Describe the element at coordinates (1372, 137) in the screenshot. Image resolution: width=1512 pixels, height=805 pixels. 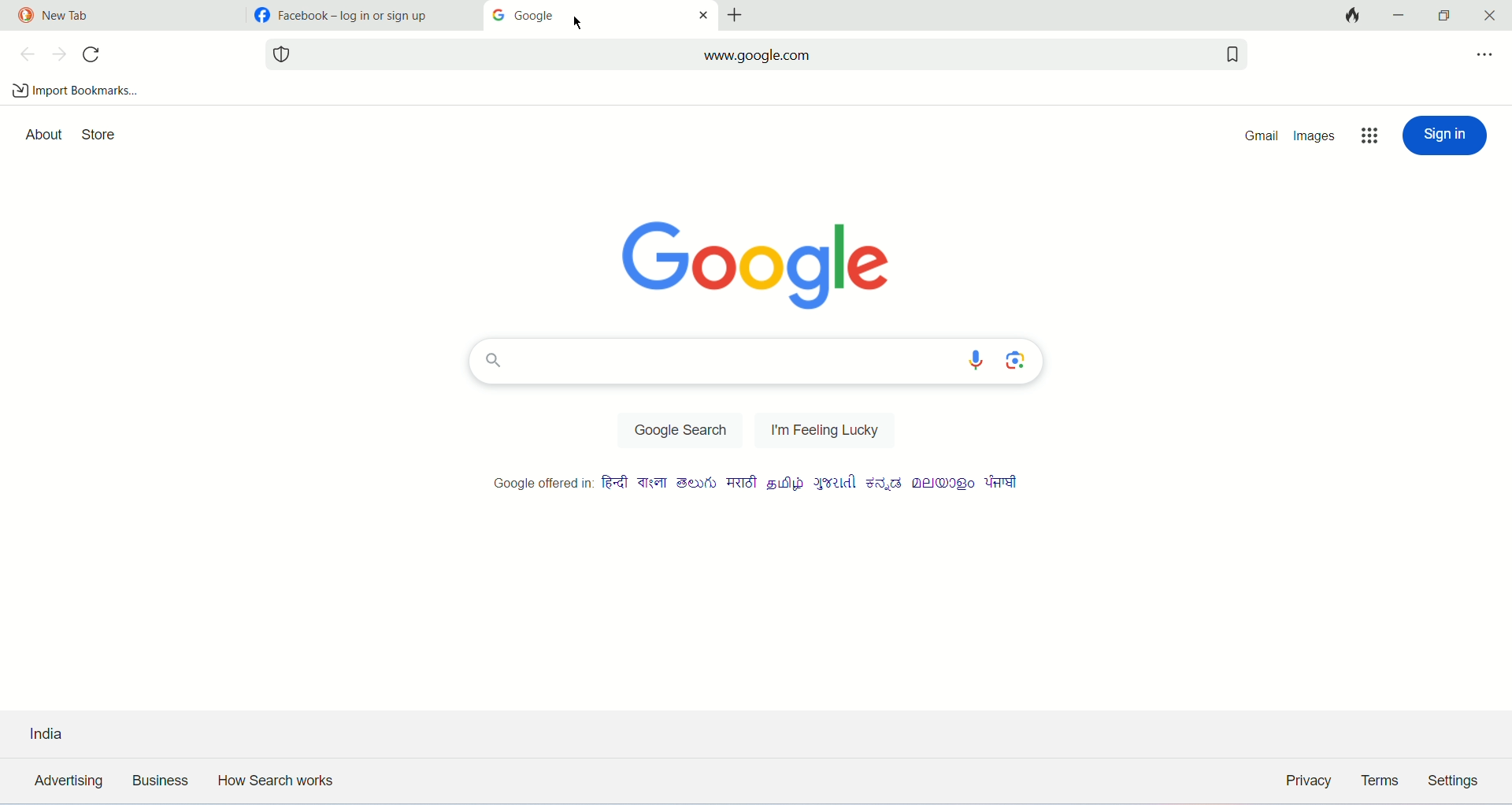
I see `more options` at that location.